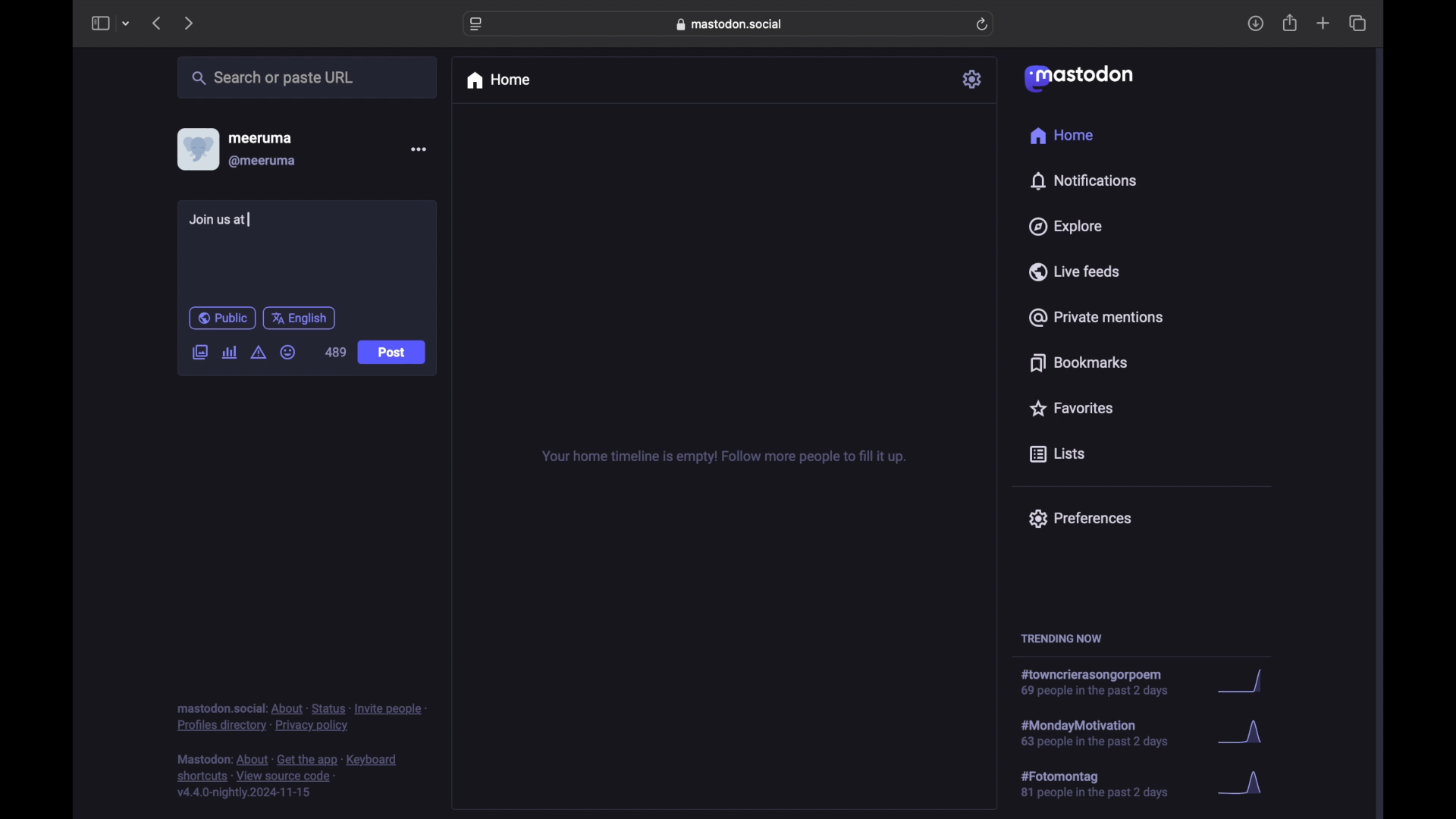 Image resolution: width=1456 pixels, height=819 pixels. Describe the element at coordinates (156, 23) in the screenshot. I see `previous` at that location.